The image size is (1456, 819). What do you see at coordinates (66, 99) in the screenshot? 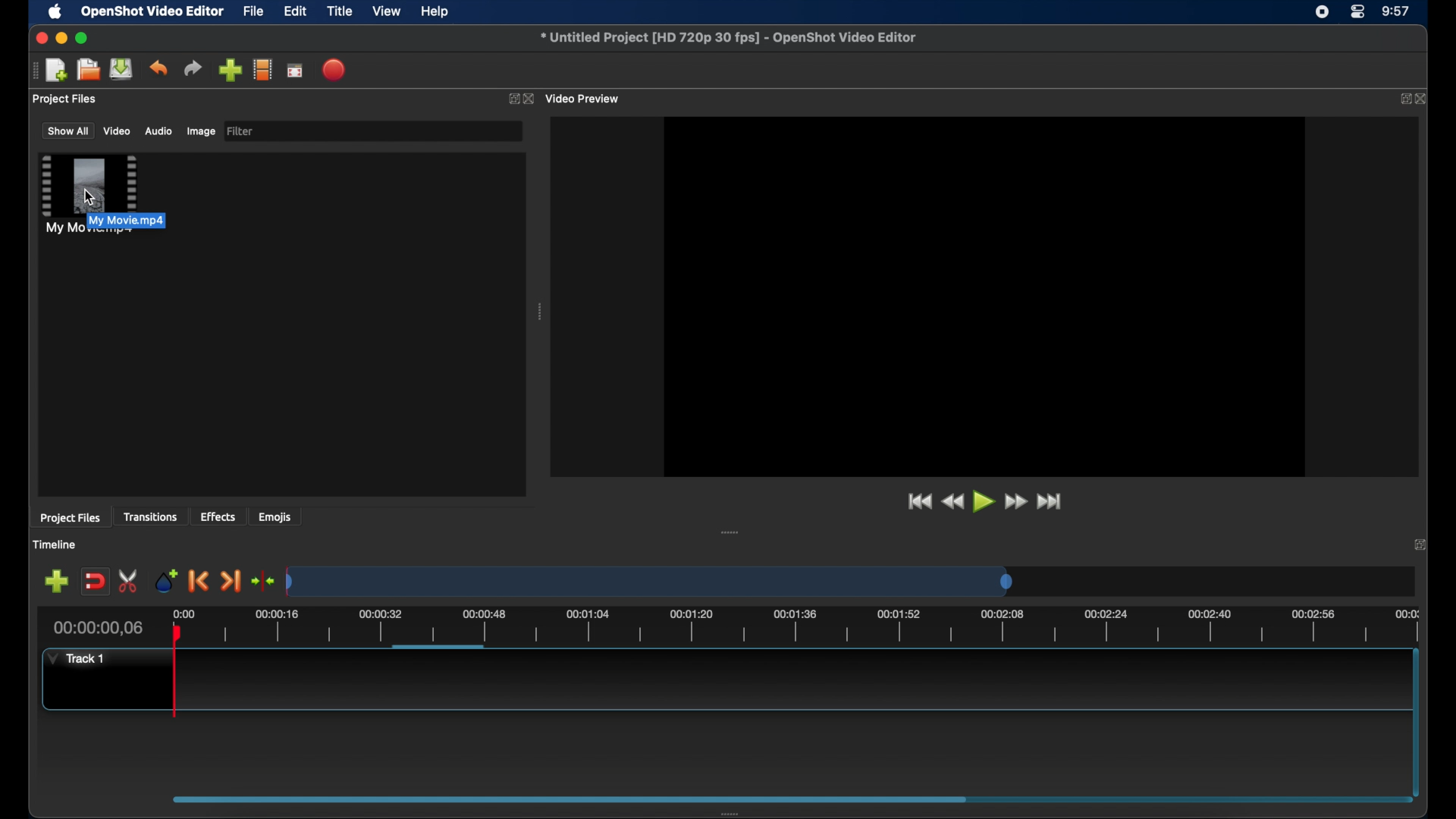
I see `project files` at bounding box center [66, 99].